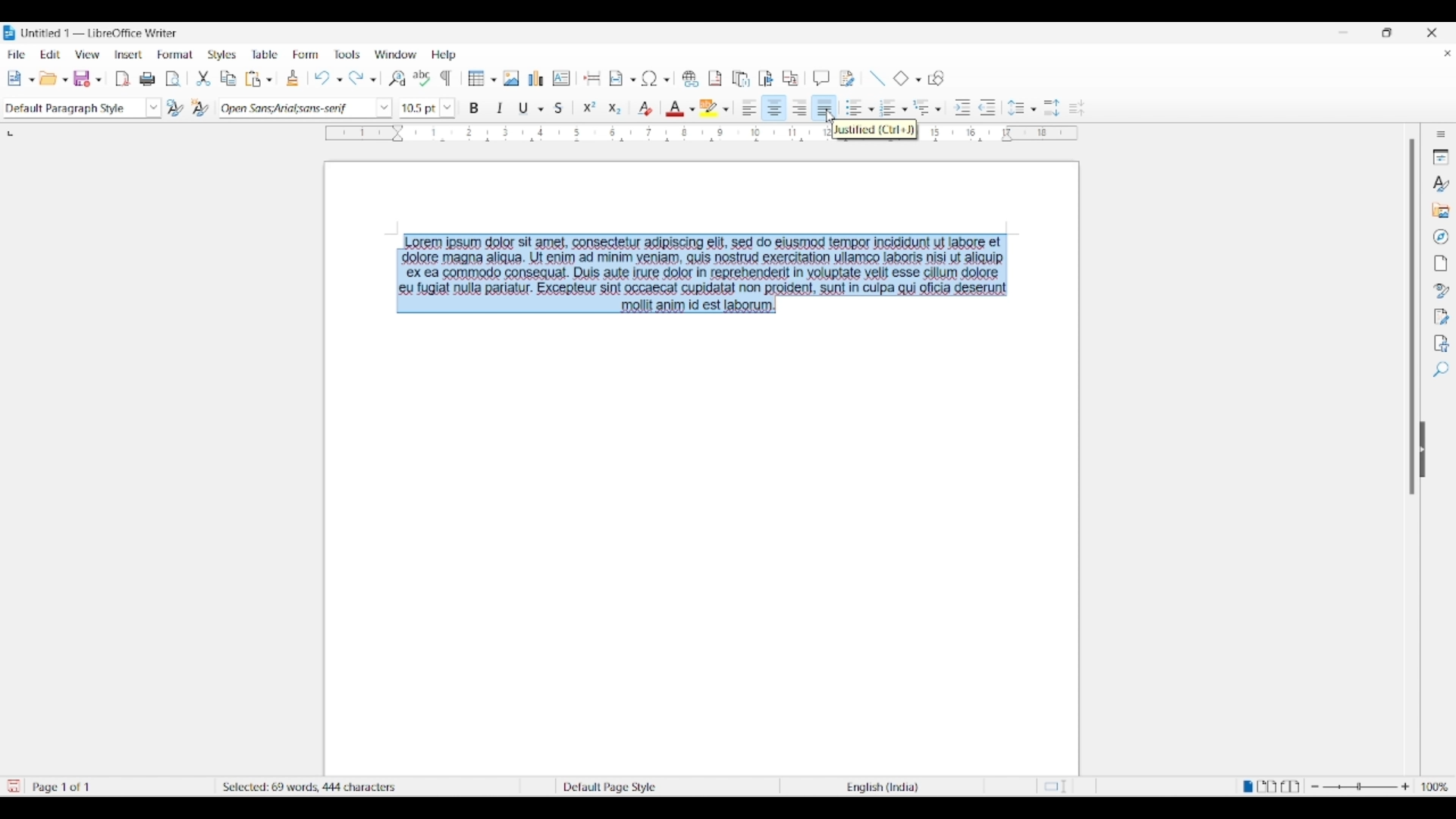  Describe the element at coordinates (202, 108) in the screenshot. I see `New style from selection` at that location.